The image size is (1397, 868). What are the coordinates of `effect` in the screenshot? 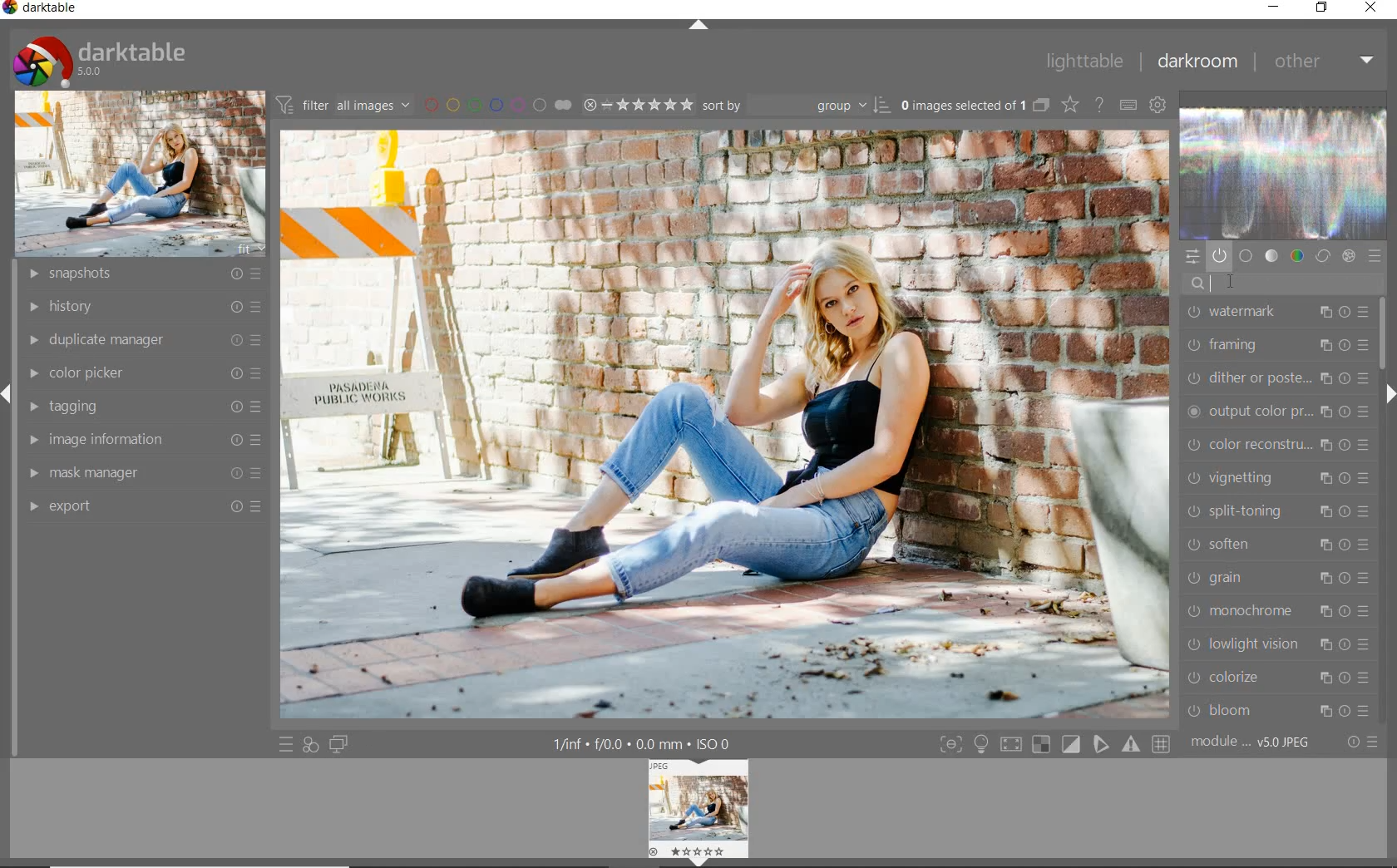 It's located at (1350, 254).